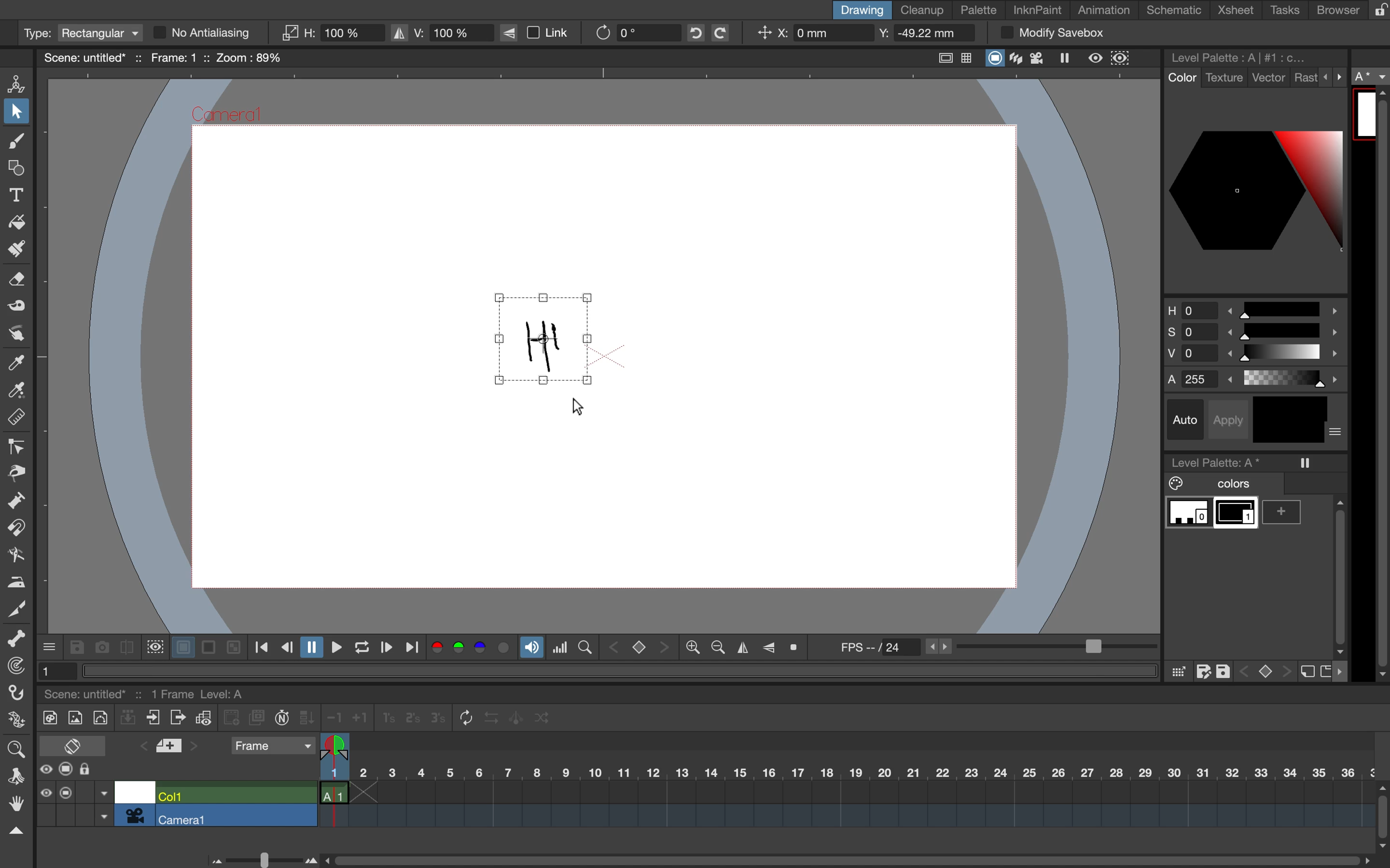 The width and height of the screenshot is (1390, 868). What do you see at coordinates (860, 10) in the screenshot?
I see `drawing` at bounding box center [860, 10].